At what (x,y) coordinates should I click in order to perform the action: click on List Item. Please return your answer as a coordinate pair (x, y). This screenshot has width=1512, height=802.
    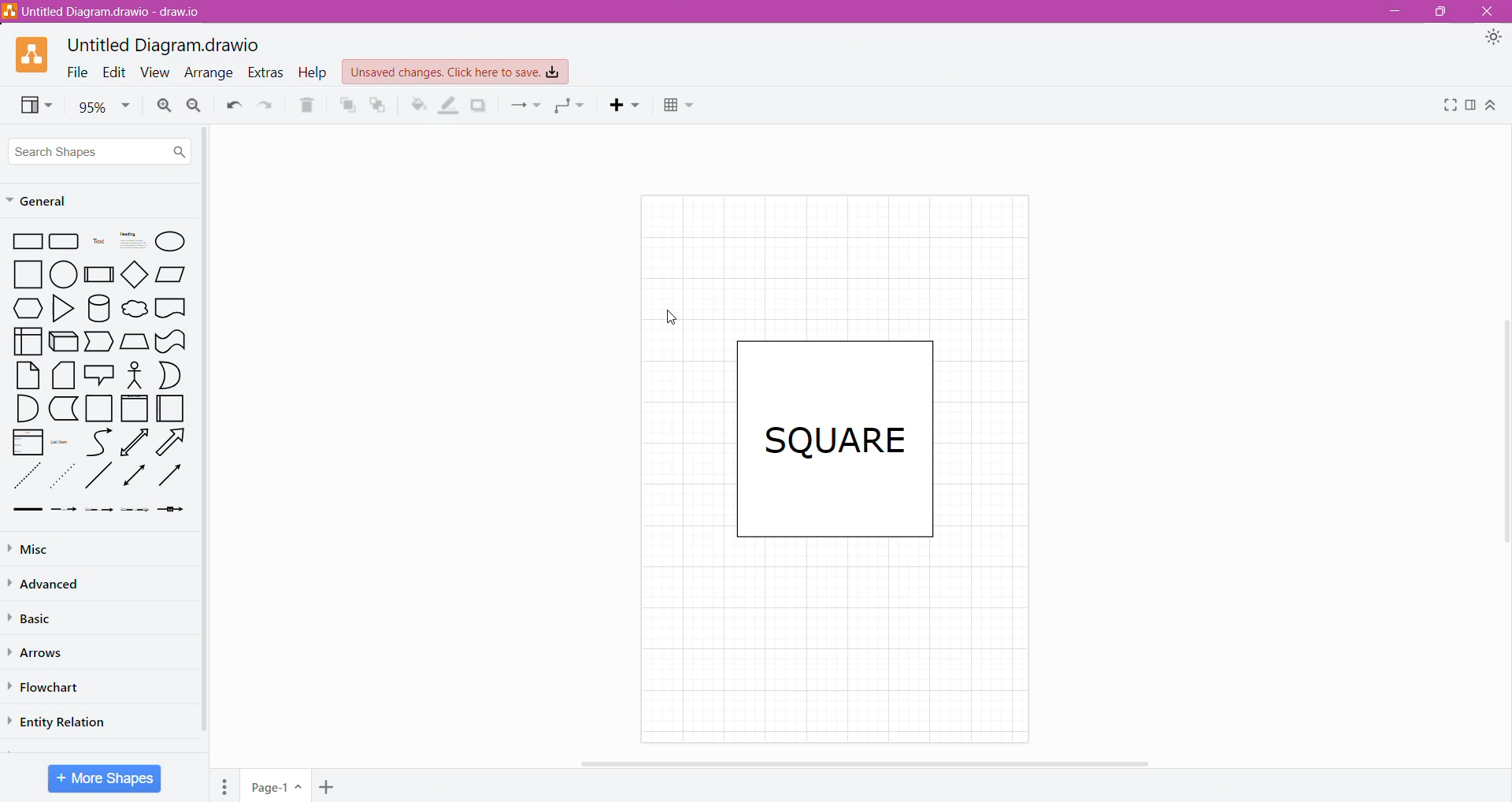
    Looking at the image, I should click on (61, 445).